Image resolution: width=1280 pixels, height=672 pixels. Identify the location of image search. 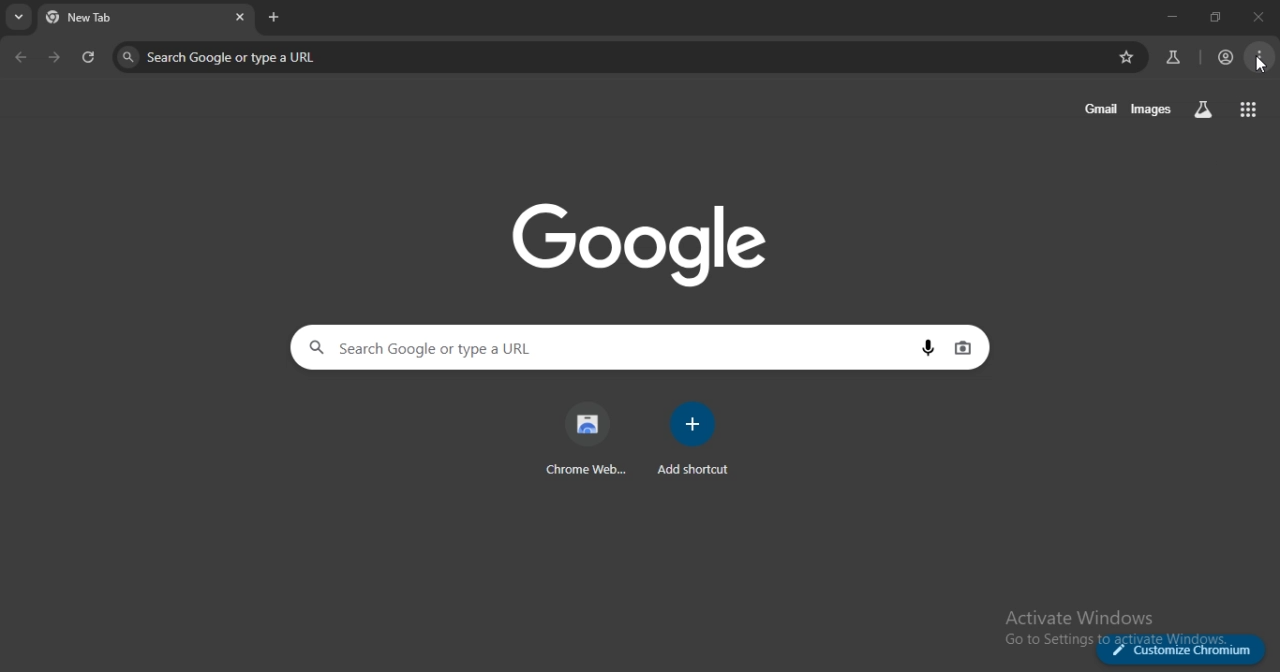
(966, 349).